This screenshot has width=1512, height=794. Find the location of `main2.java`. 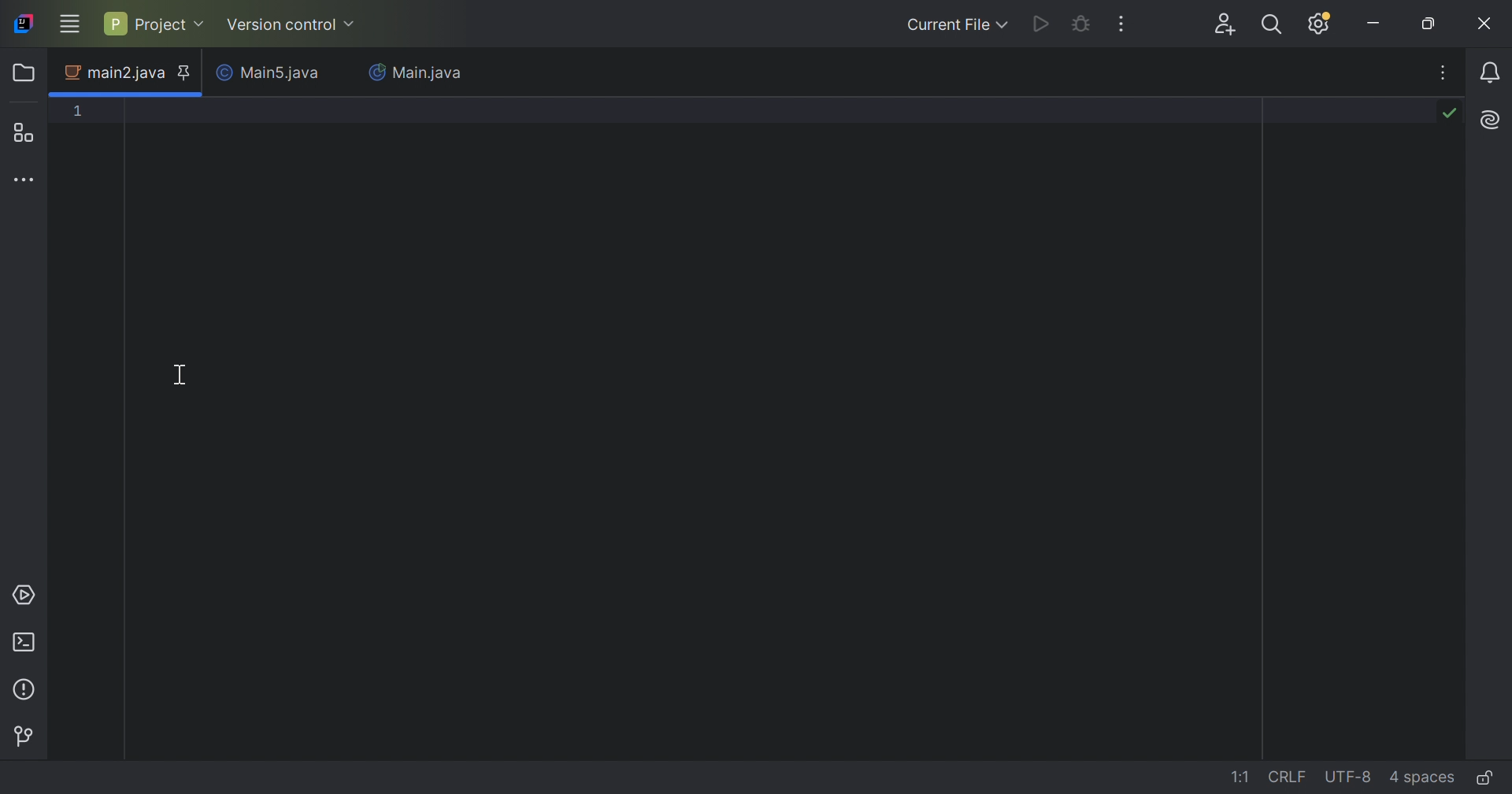

main2.java is located at coordinates (113, 74).